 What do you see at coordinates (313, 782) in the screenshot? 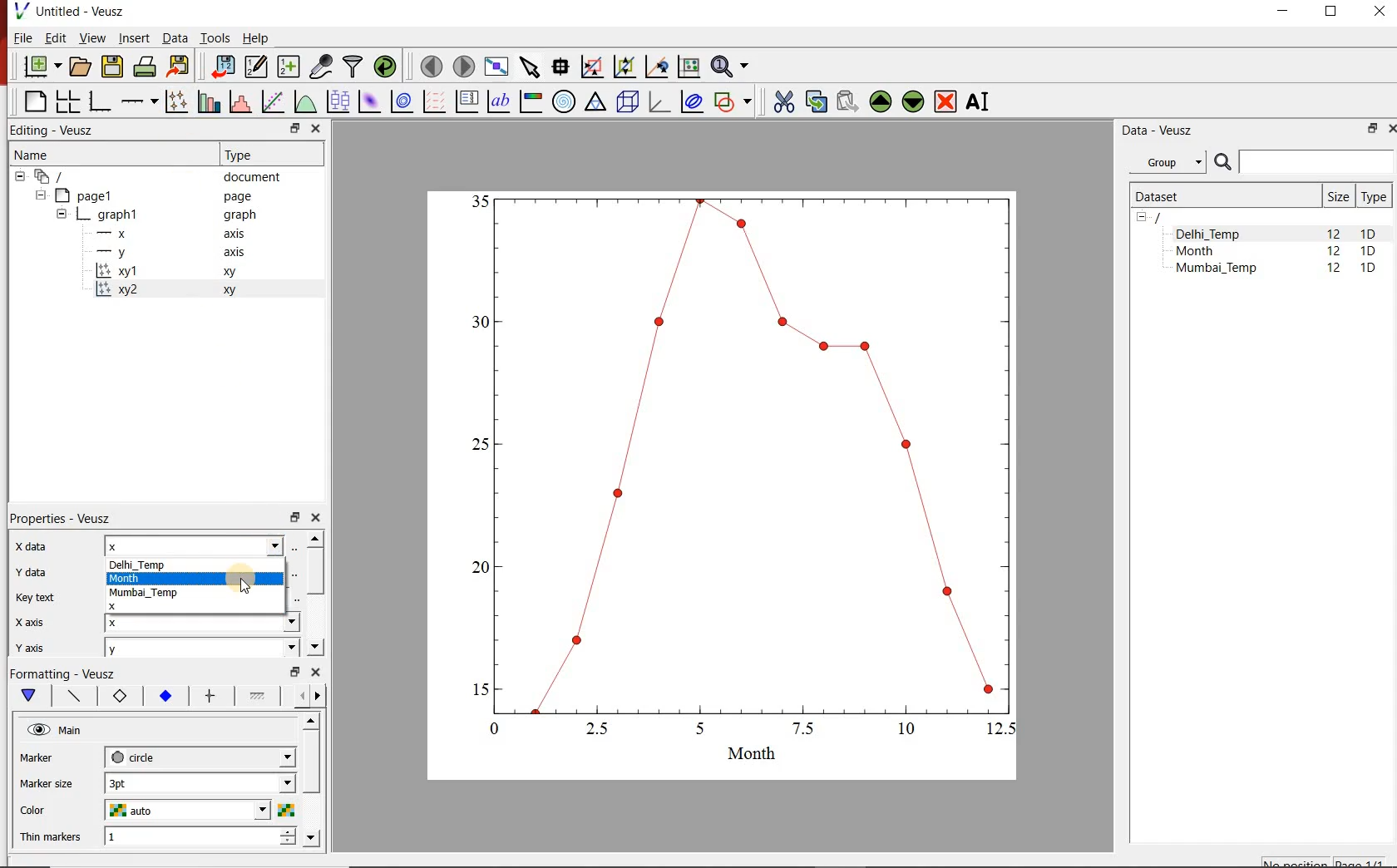
I see `scrollbar` at bounding box center [313, 782].